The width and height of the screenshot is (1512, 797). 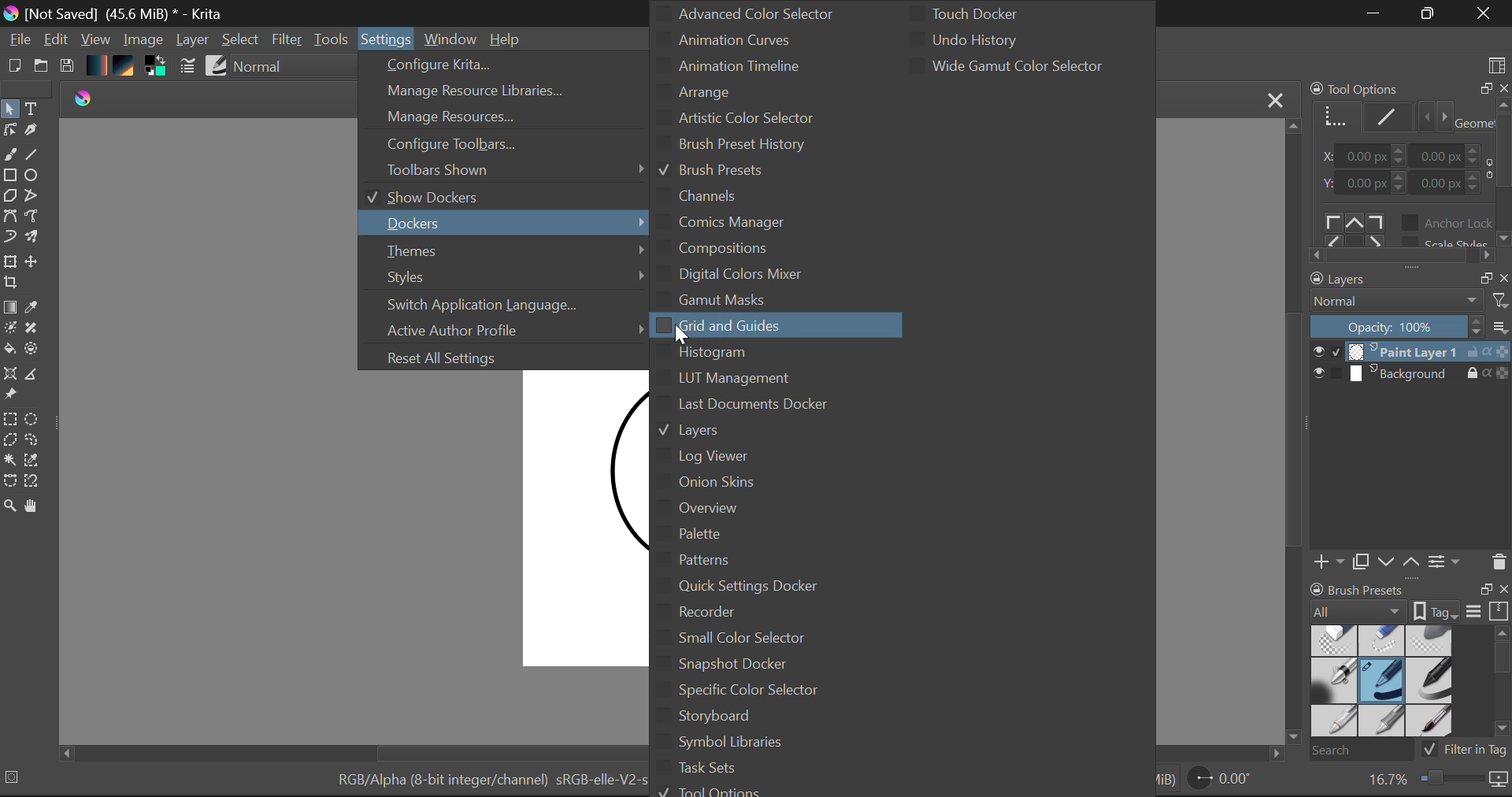 I want to click on Recorder, so click(x=758, y=614).